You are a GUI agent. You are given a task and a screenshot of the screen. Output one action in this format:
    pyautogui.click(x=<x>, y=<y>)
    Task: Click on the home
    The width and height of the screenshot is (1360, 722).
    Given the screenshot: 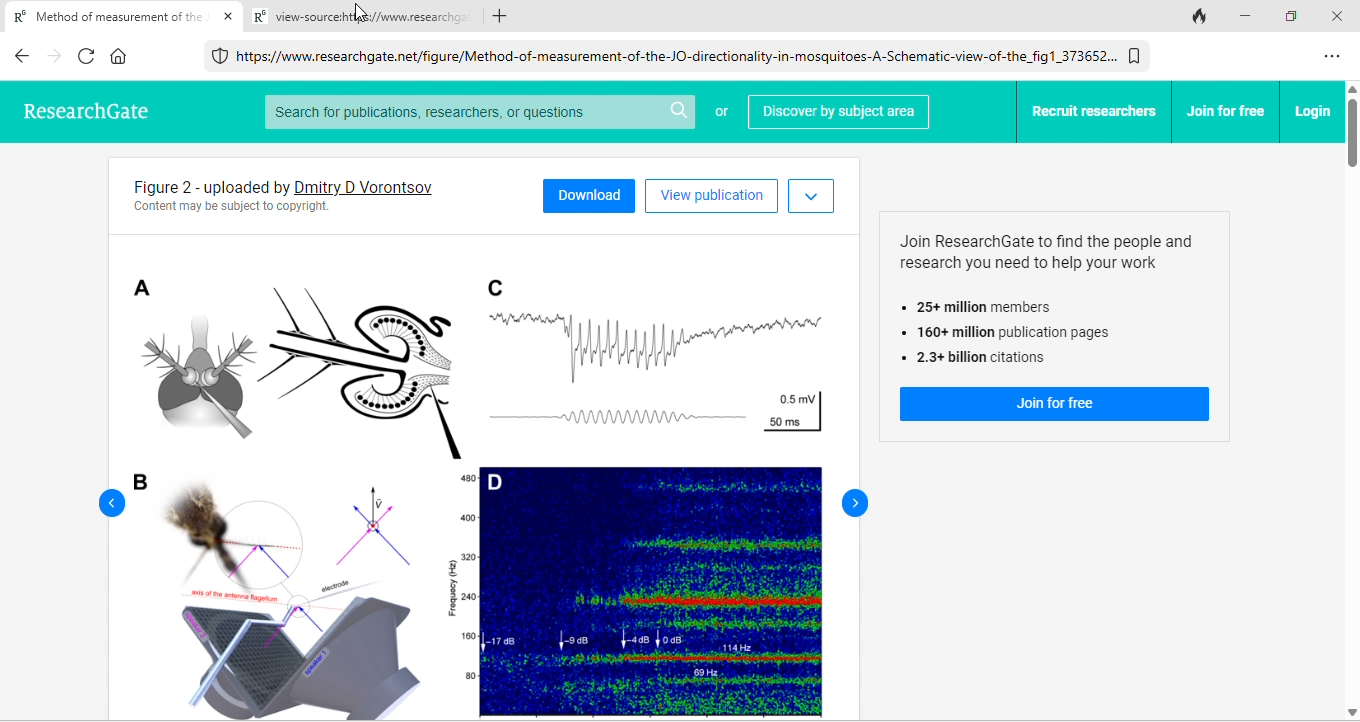 What is the action you would take?
    pyautogui.click(x=122, y=57)
    